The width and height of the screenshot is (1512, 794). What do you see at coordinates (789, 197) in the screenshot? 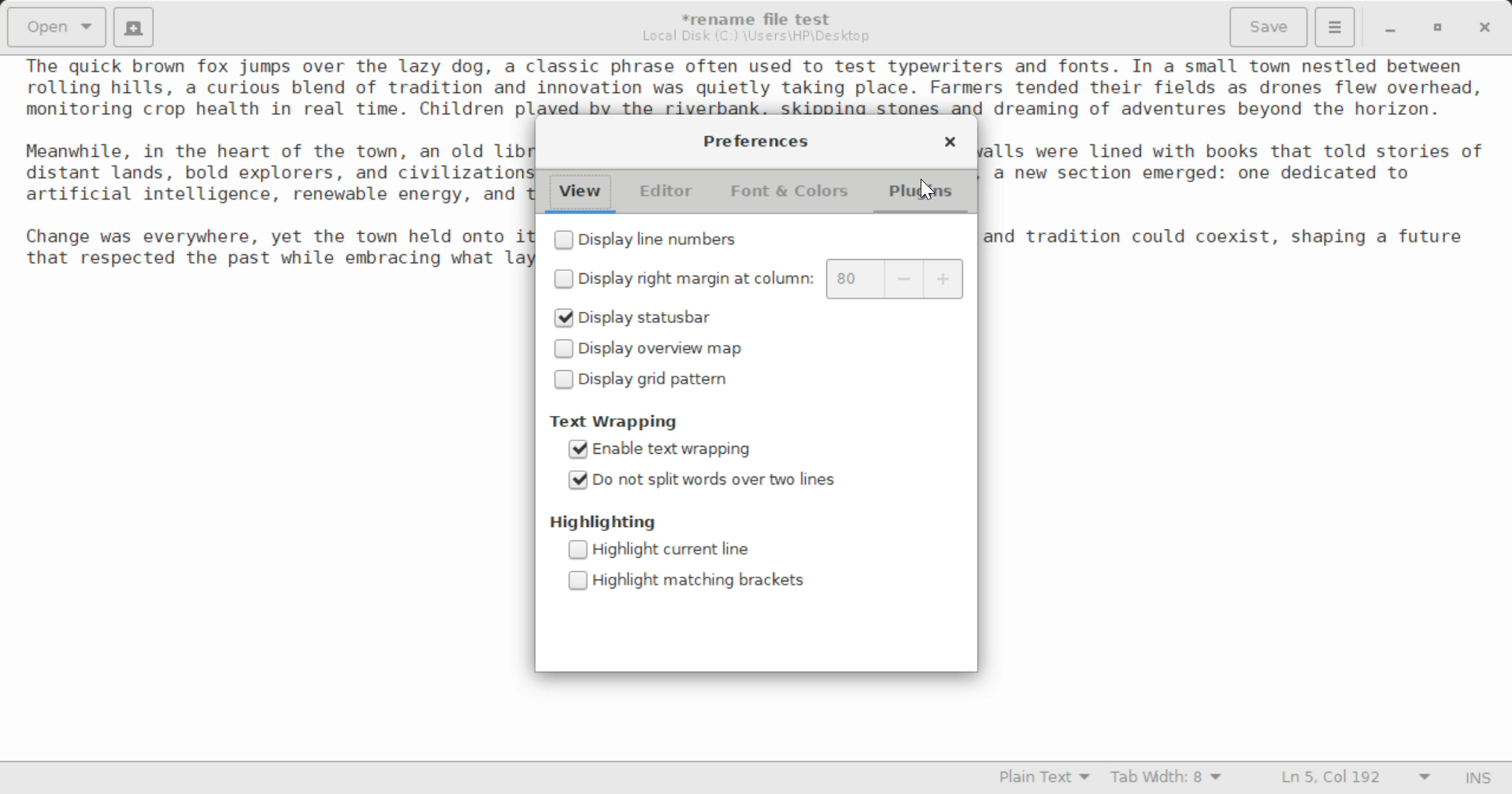
I see `Font & Colors Tab` at bounding box center [789, 197].